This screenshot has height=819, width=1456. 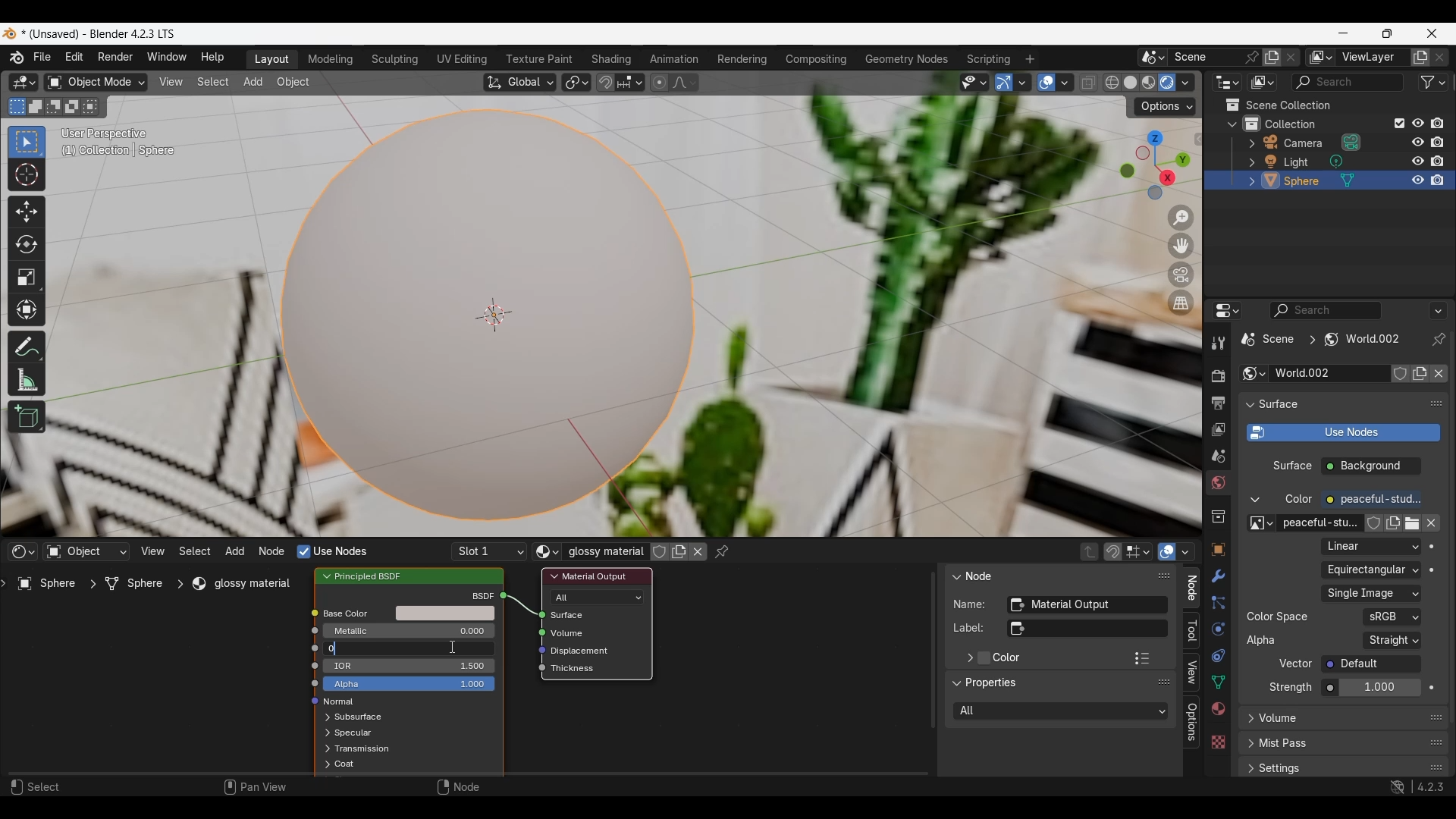 What do you see at coordinates (1137, 551) in the screenshot?
I see `Stop node element` at bounding box center [1137, 551].